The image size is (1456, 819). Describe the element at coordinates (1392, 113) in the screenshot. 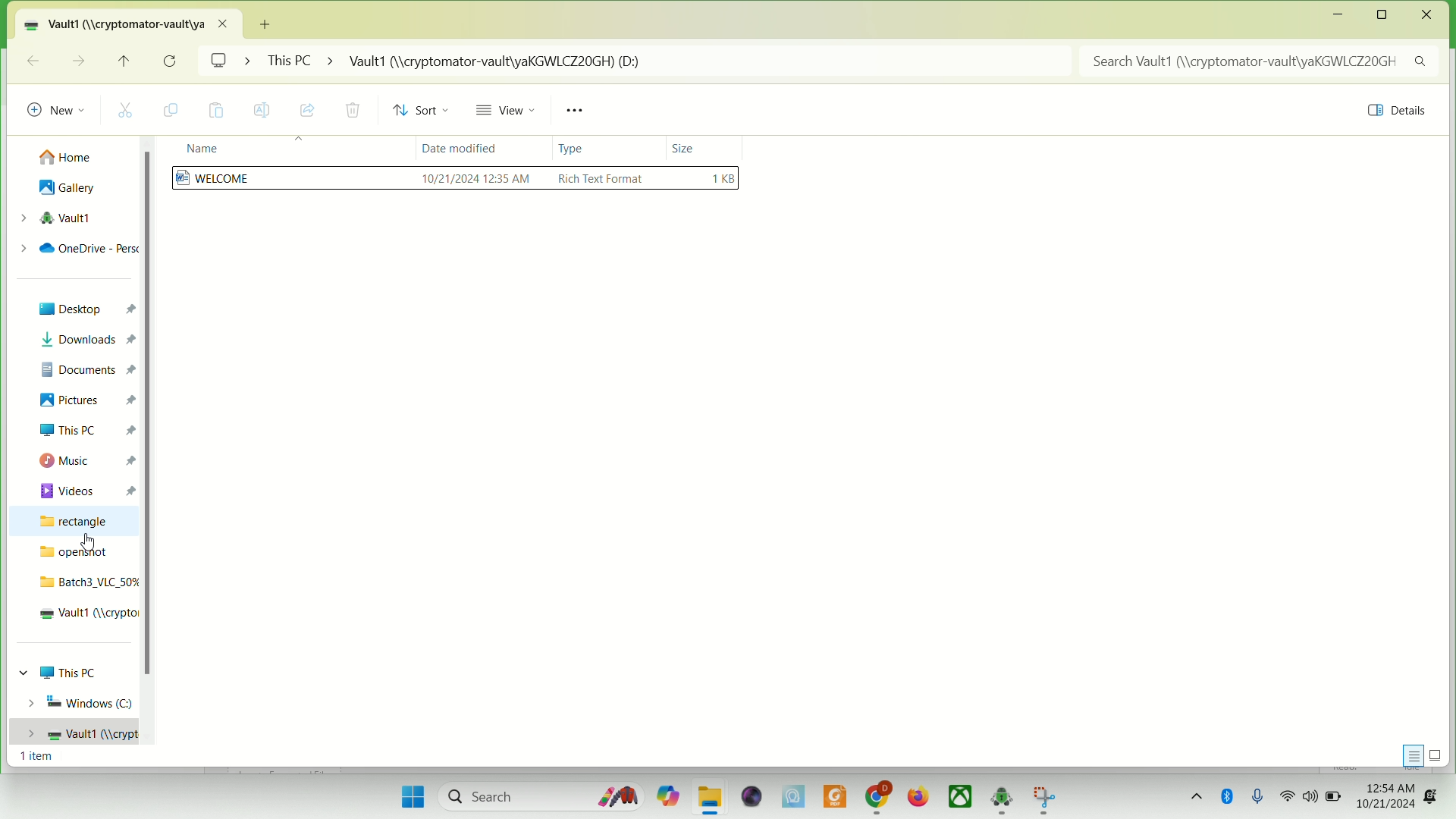

I see `details` at that location.